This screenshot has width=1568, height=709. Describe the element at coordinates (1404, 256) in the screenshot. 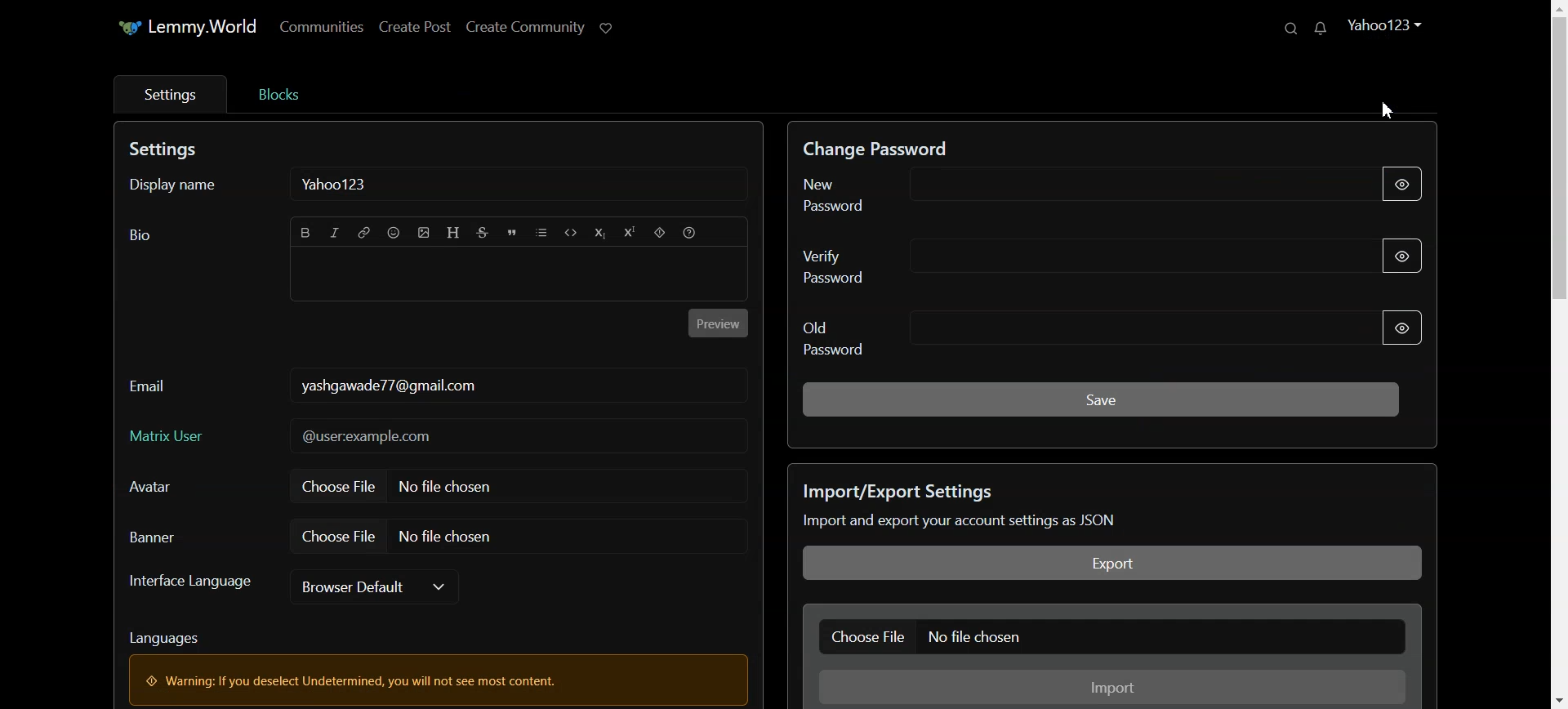

I see `Show Password` at that location.